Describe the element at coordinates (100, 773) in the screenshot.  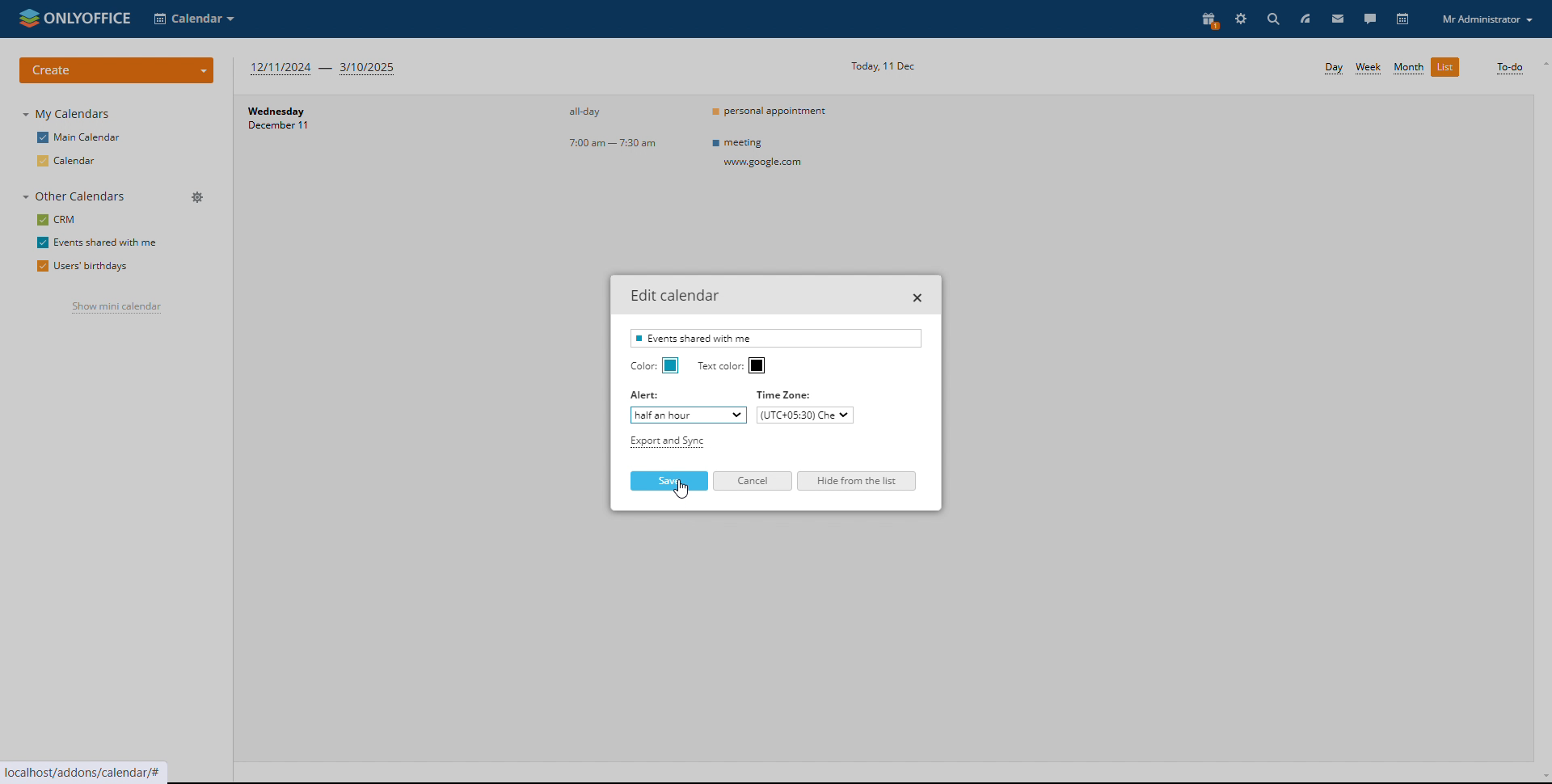
I see `localhost` at that location.